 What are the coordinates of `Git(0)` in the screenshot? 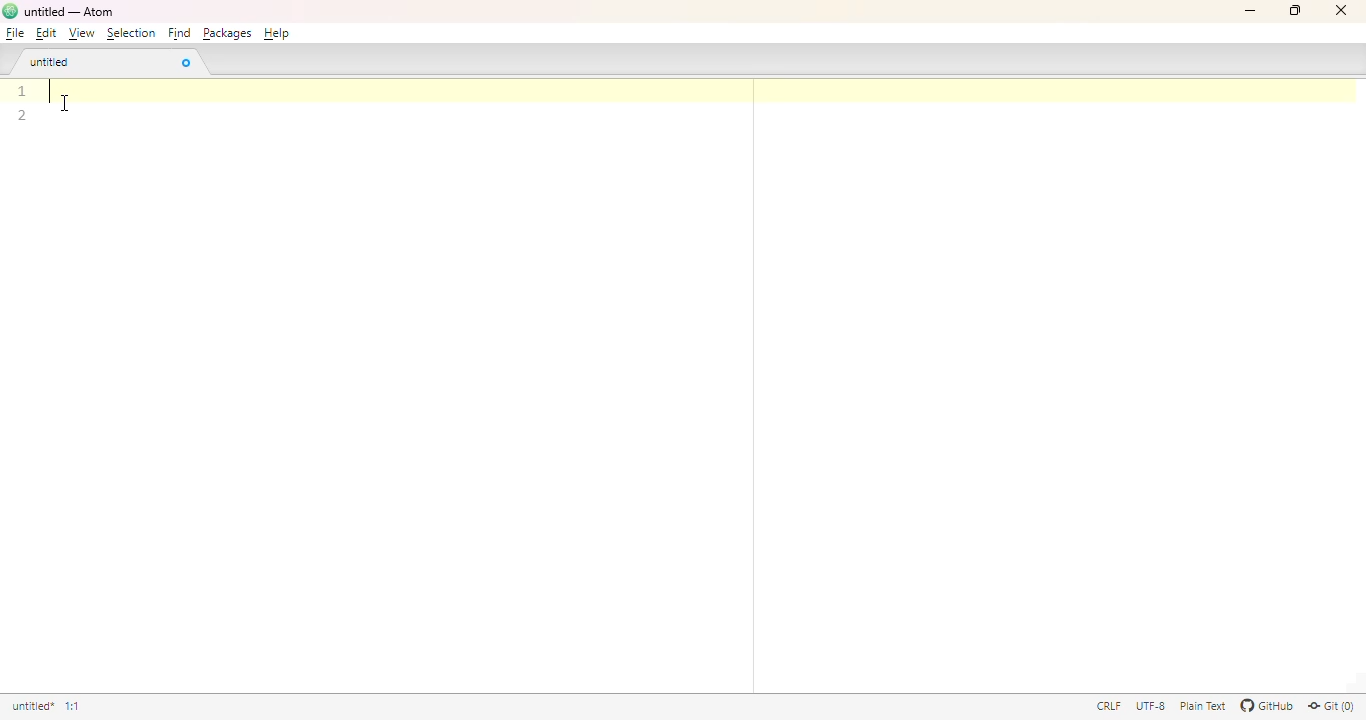 It's located at (1330, 706).